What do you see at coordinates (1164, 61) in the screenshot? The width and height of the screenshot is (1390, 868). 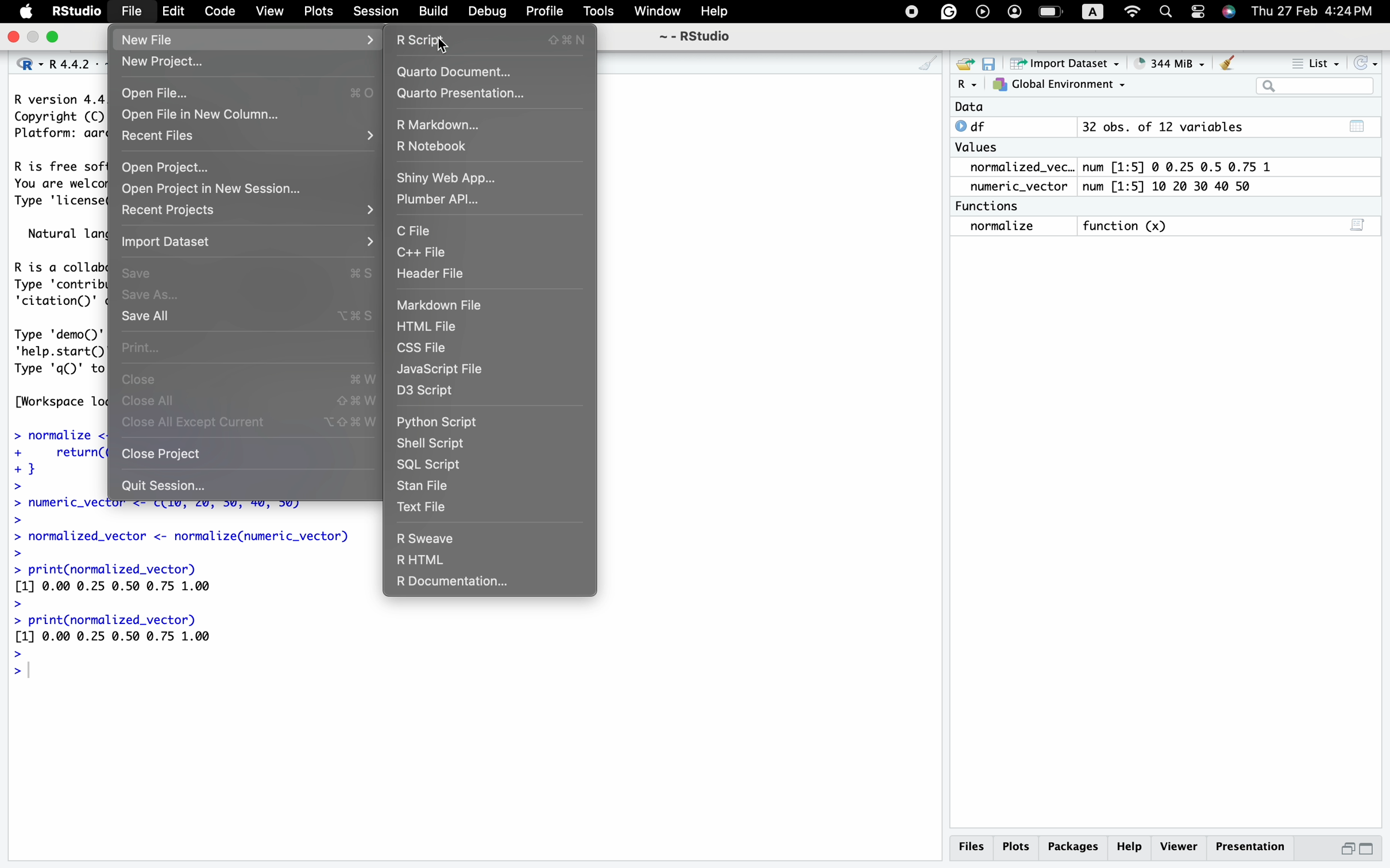 I see `344MiB` at bounding box center [1164, 61].